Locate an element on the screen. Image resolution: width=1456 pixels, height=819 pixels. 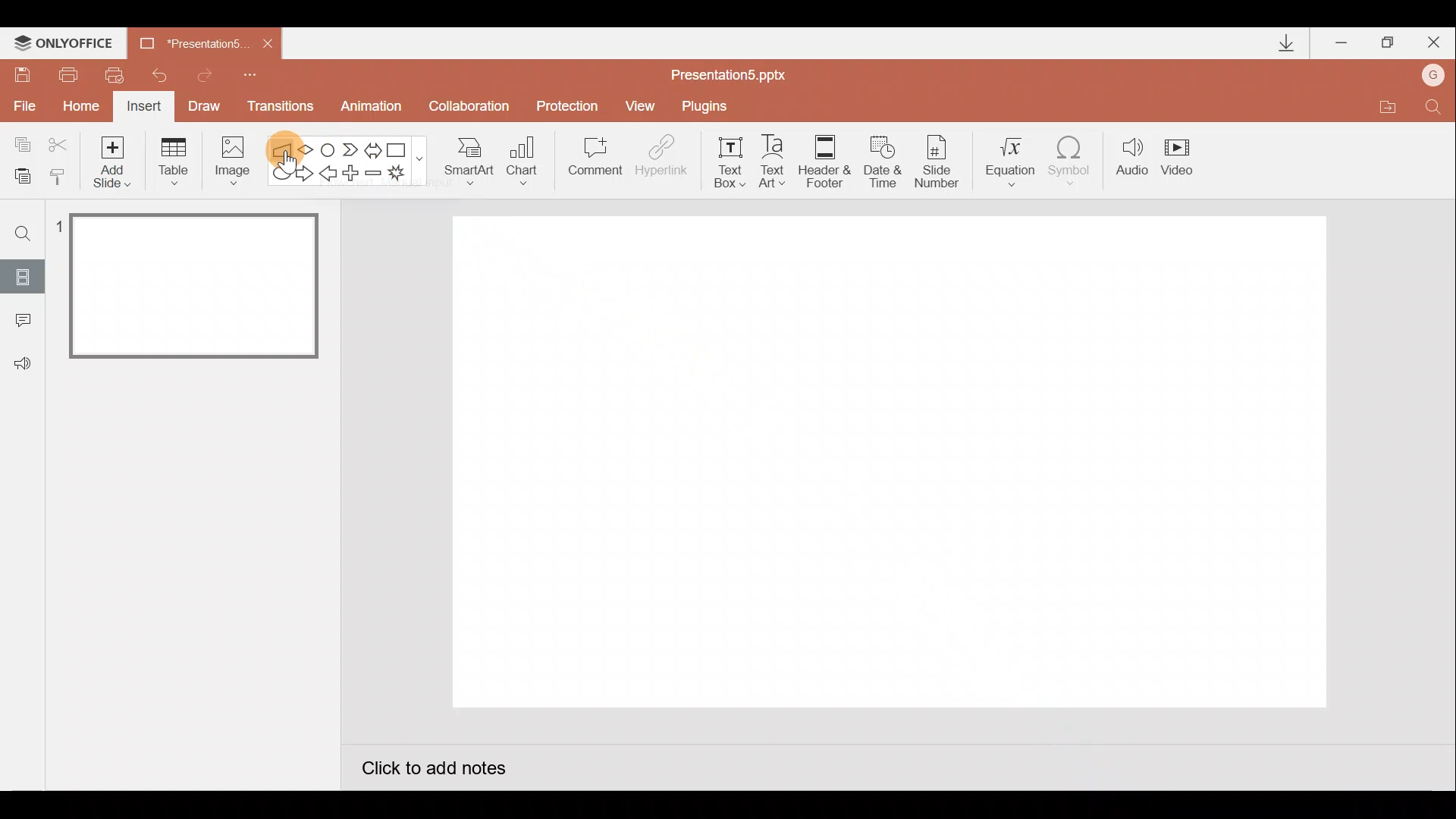
Plugins is located at coordinates (708, 106).